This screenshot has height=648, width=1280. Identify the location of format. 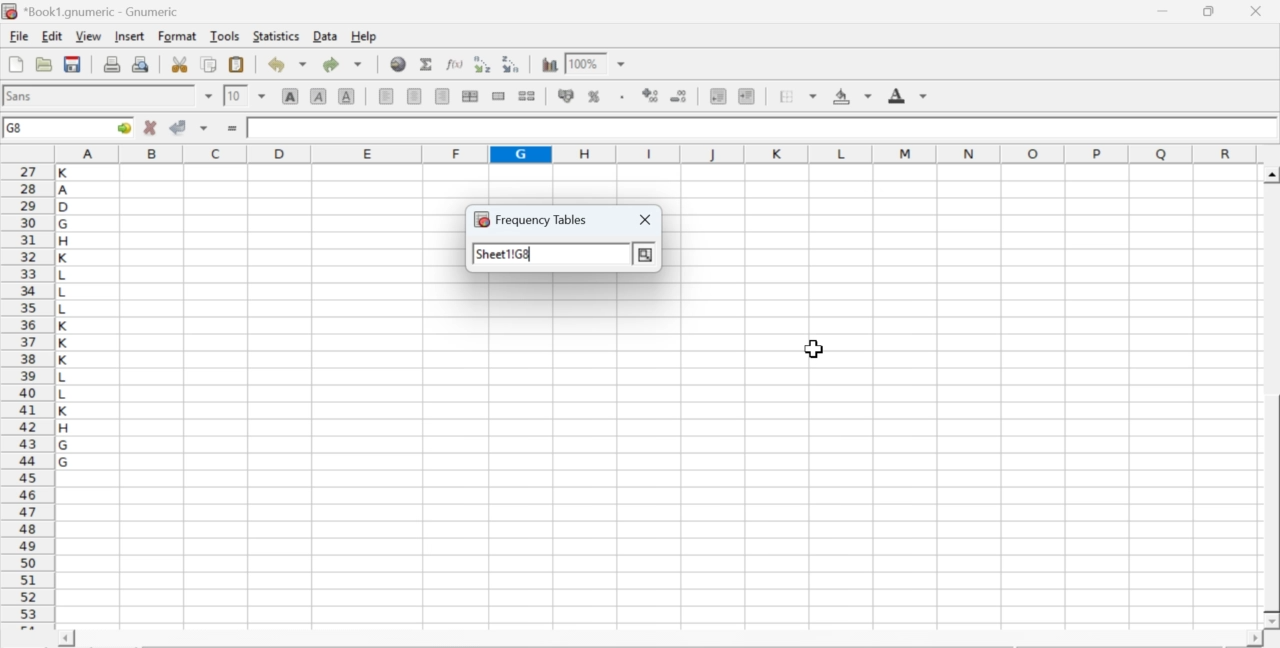
(178, 36).